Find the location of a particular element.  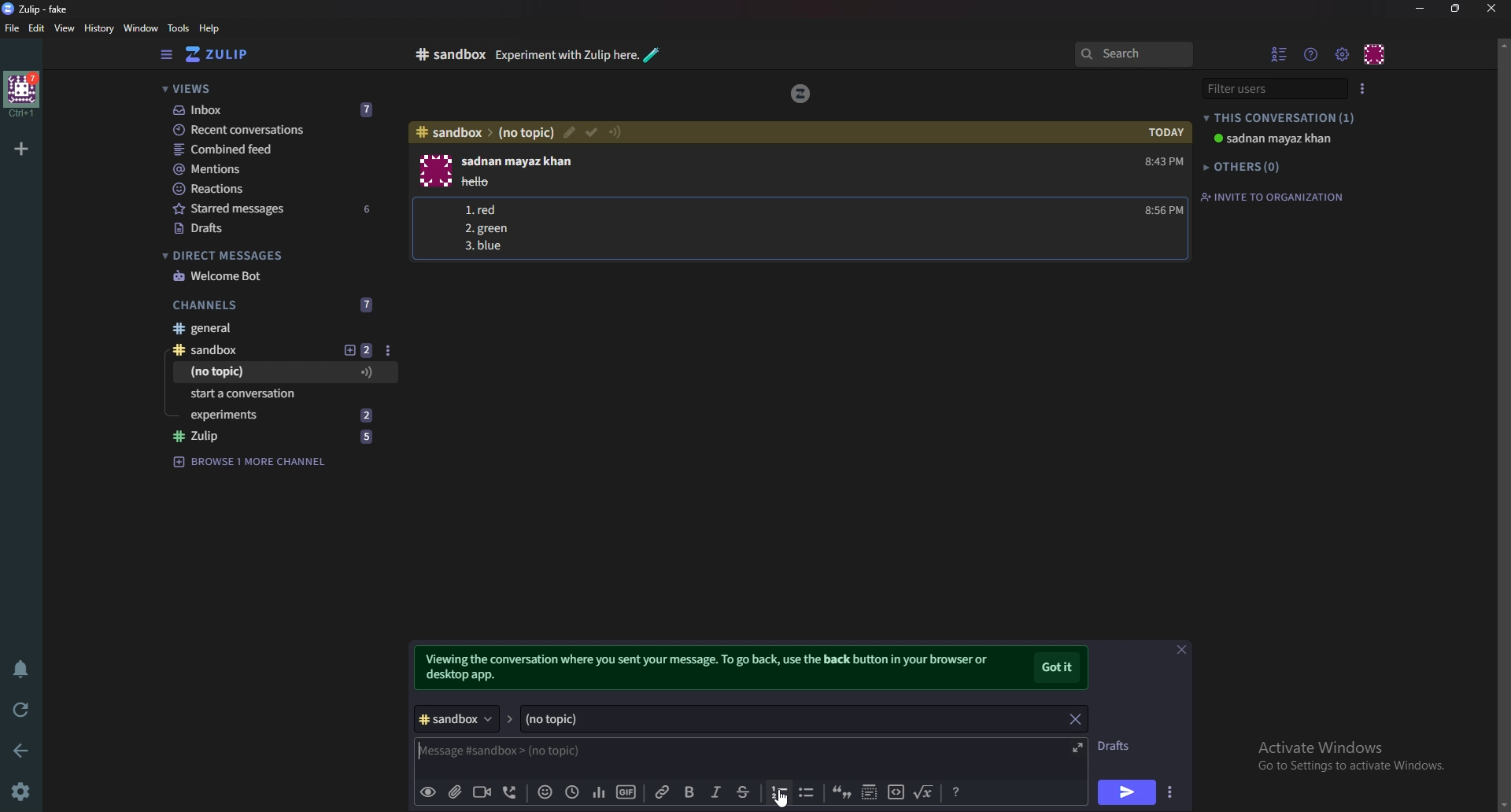

Configure topic notifications is located at coordinates (618, 131).